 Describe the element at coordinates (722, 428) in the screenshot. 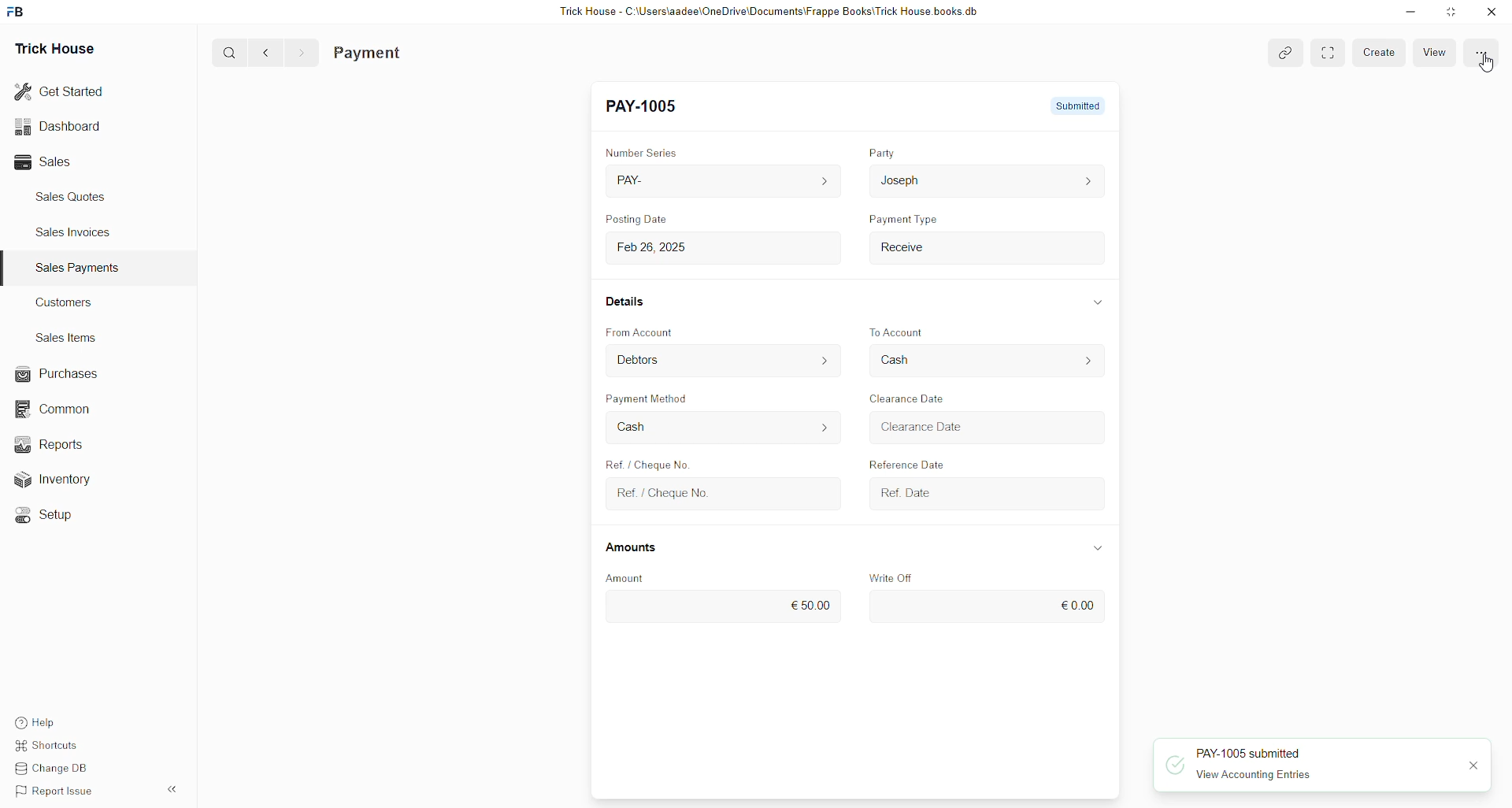

I see `Cash` at that location.